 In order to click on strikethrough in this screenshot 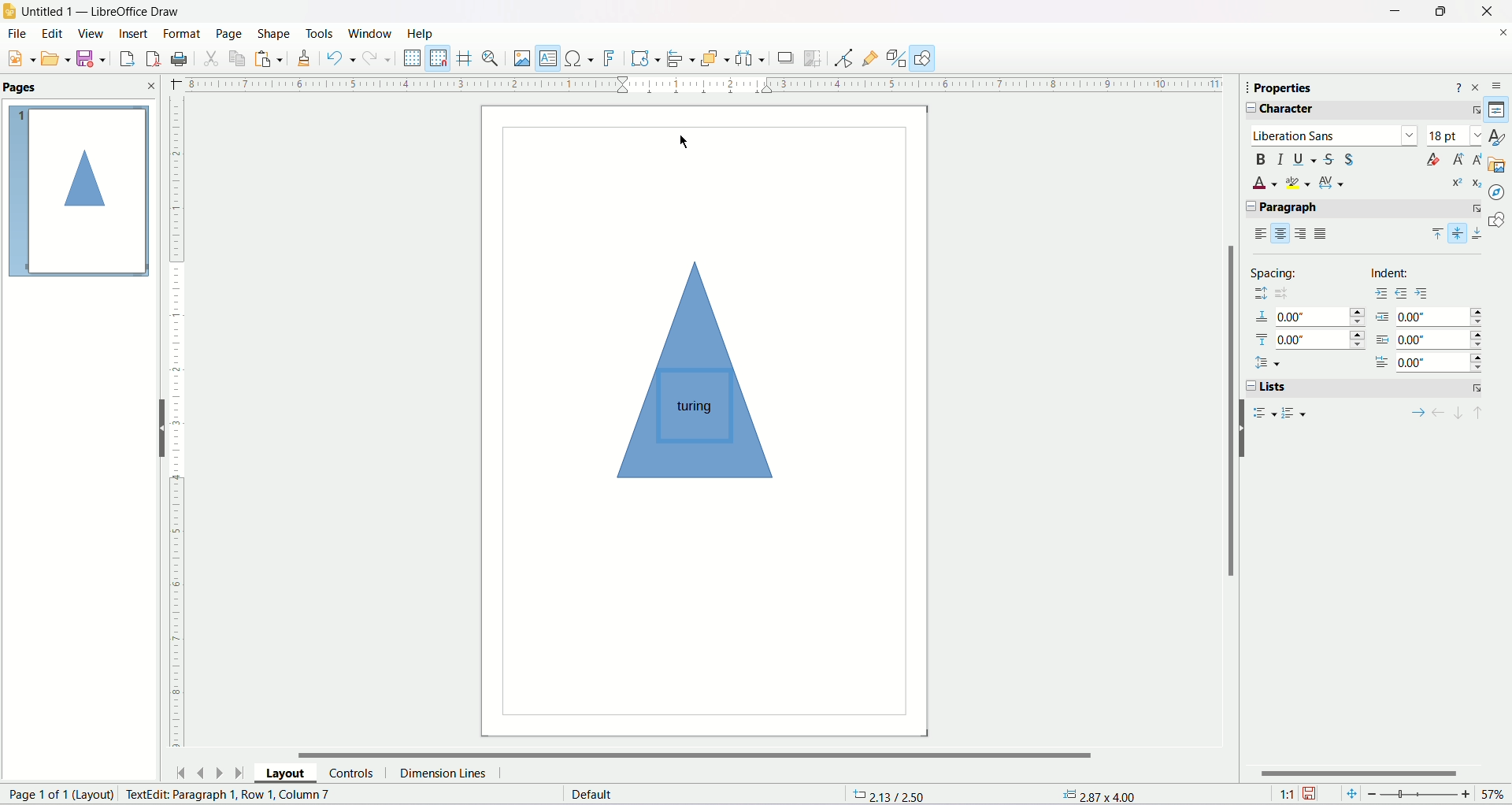, I will do `click(1331, 160)`.